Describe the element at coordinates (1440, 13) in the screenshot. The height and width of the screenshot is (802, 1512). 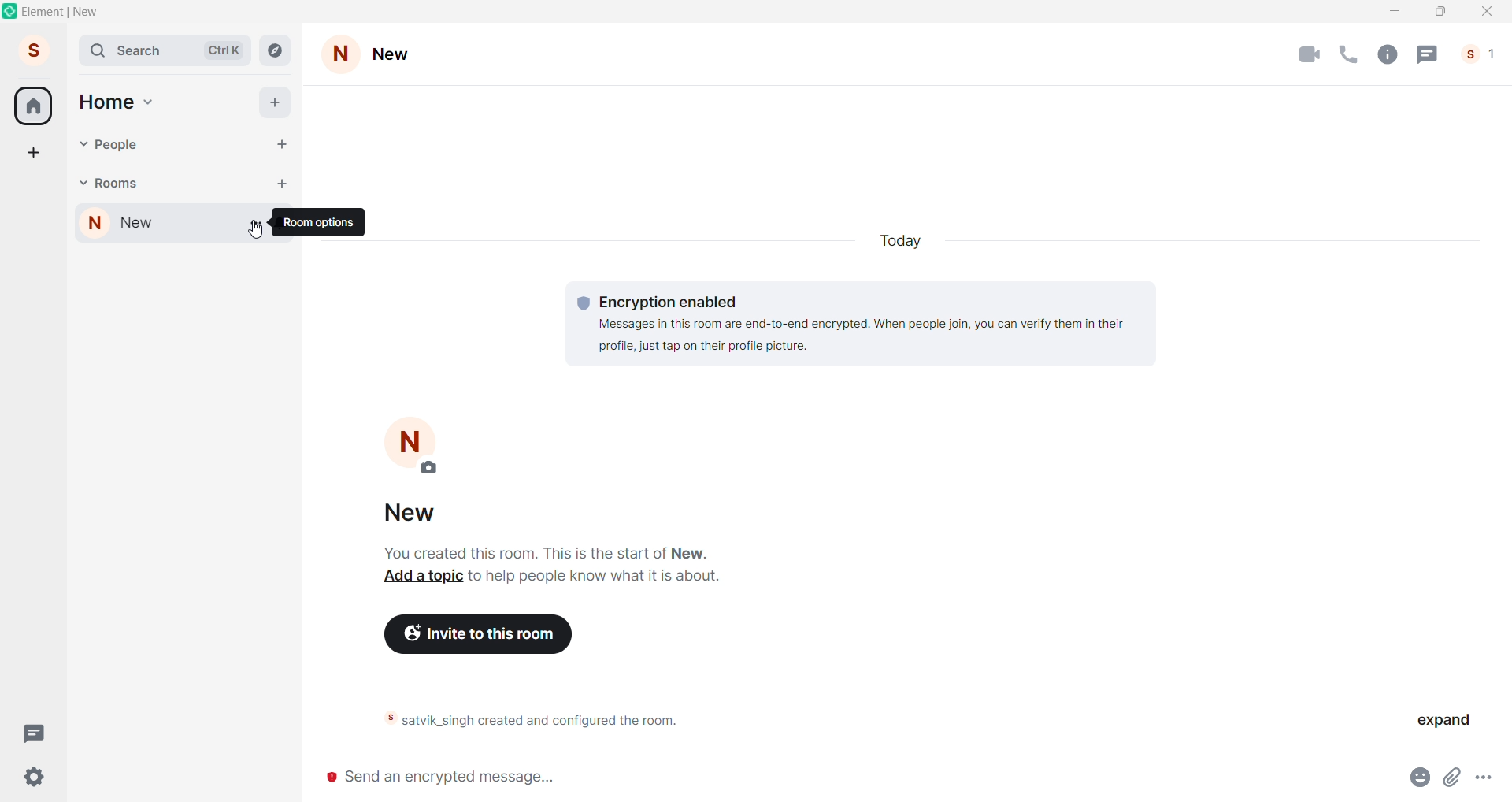
I see `maximize` at that location.